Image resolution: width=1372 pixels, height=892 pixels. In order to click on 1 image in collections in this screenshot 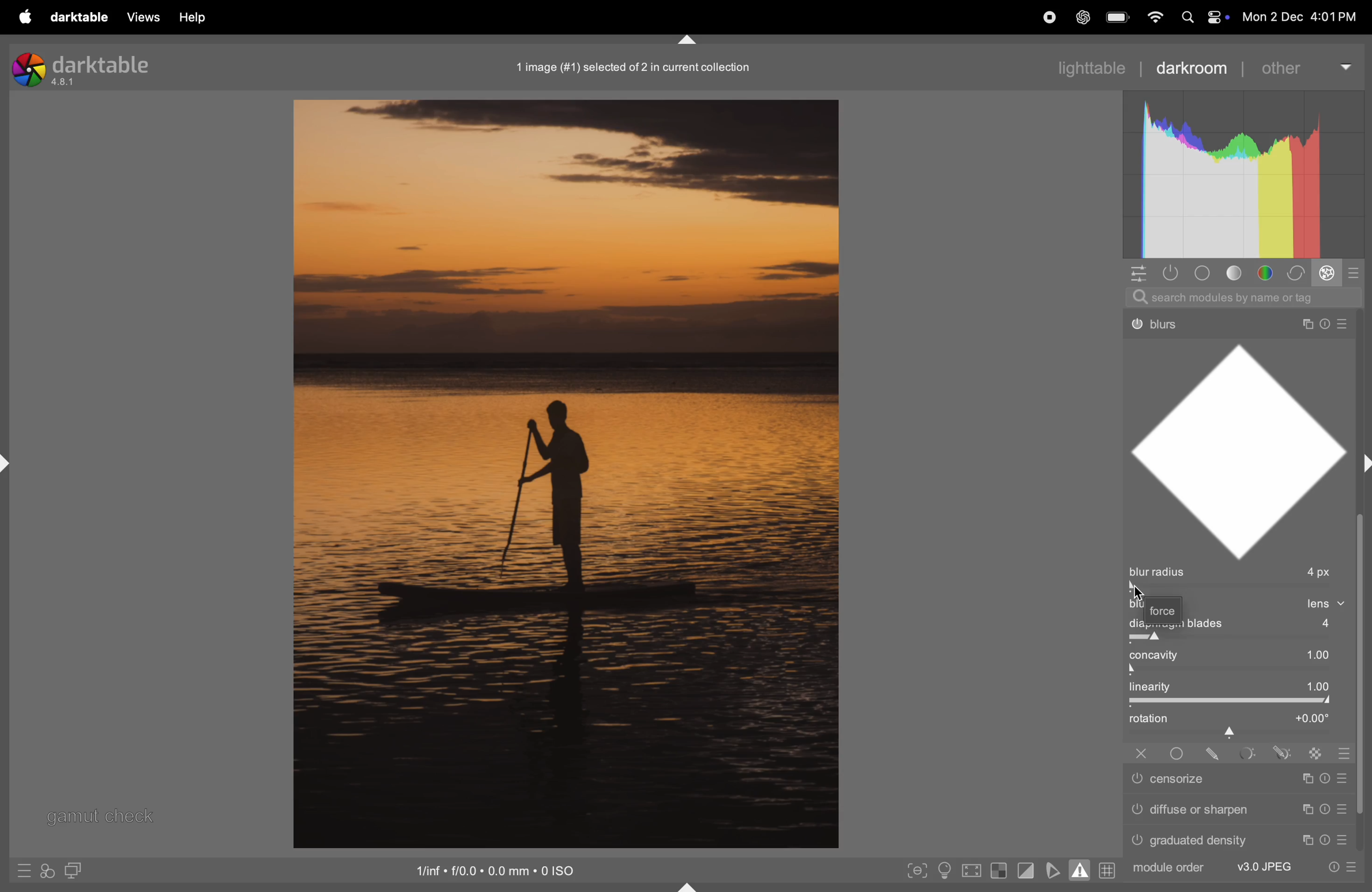, I will do `click(639, 66)`.